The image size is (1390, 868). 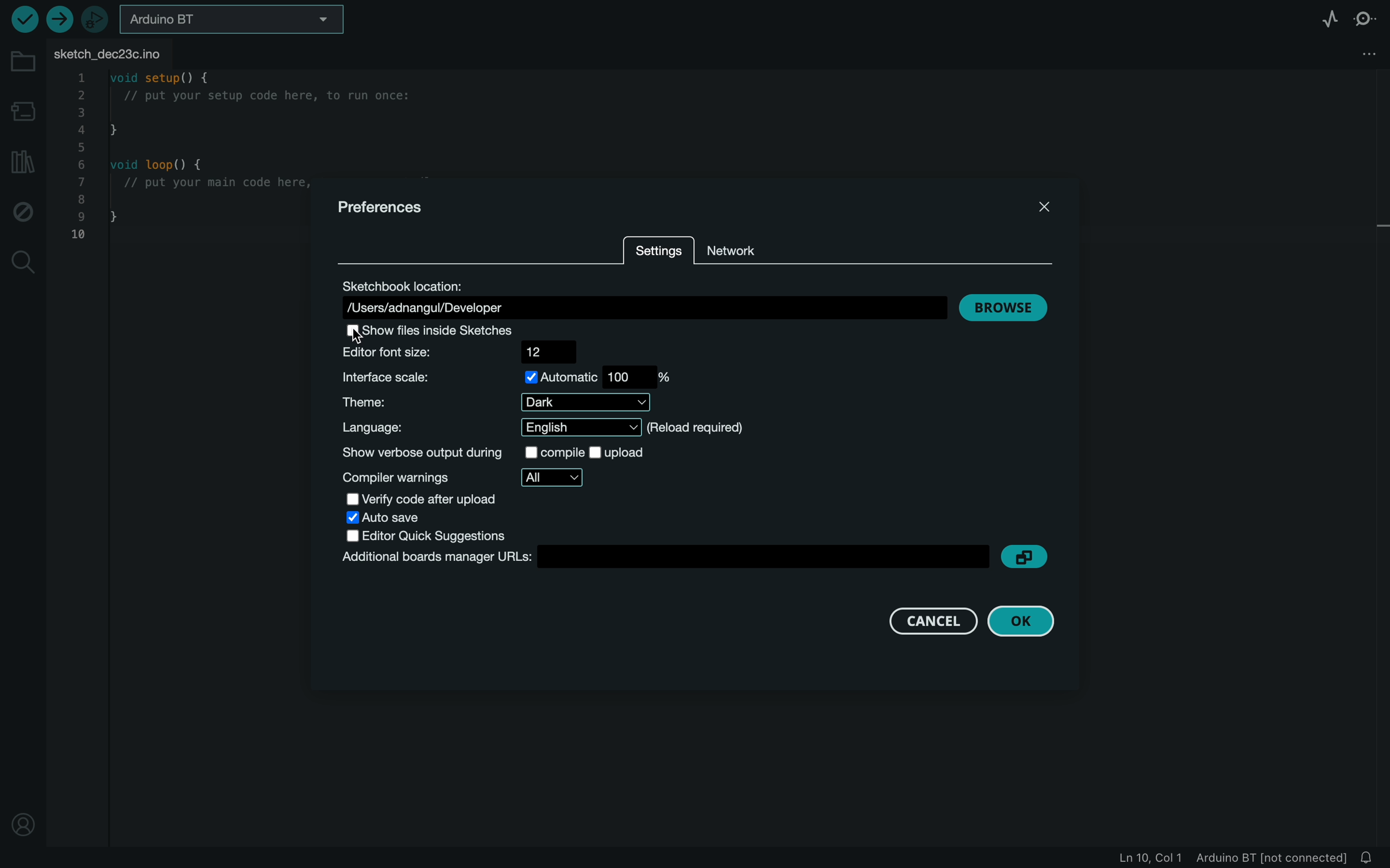 I want to click on file tab, so click(x=118, y=53).